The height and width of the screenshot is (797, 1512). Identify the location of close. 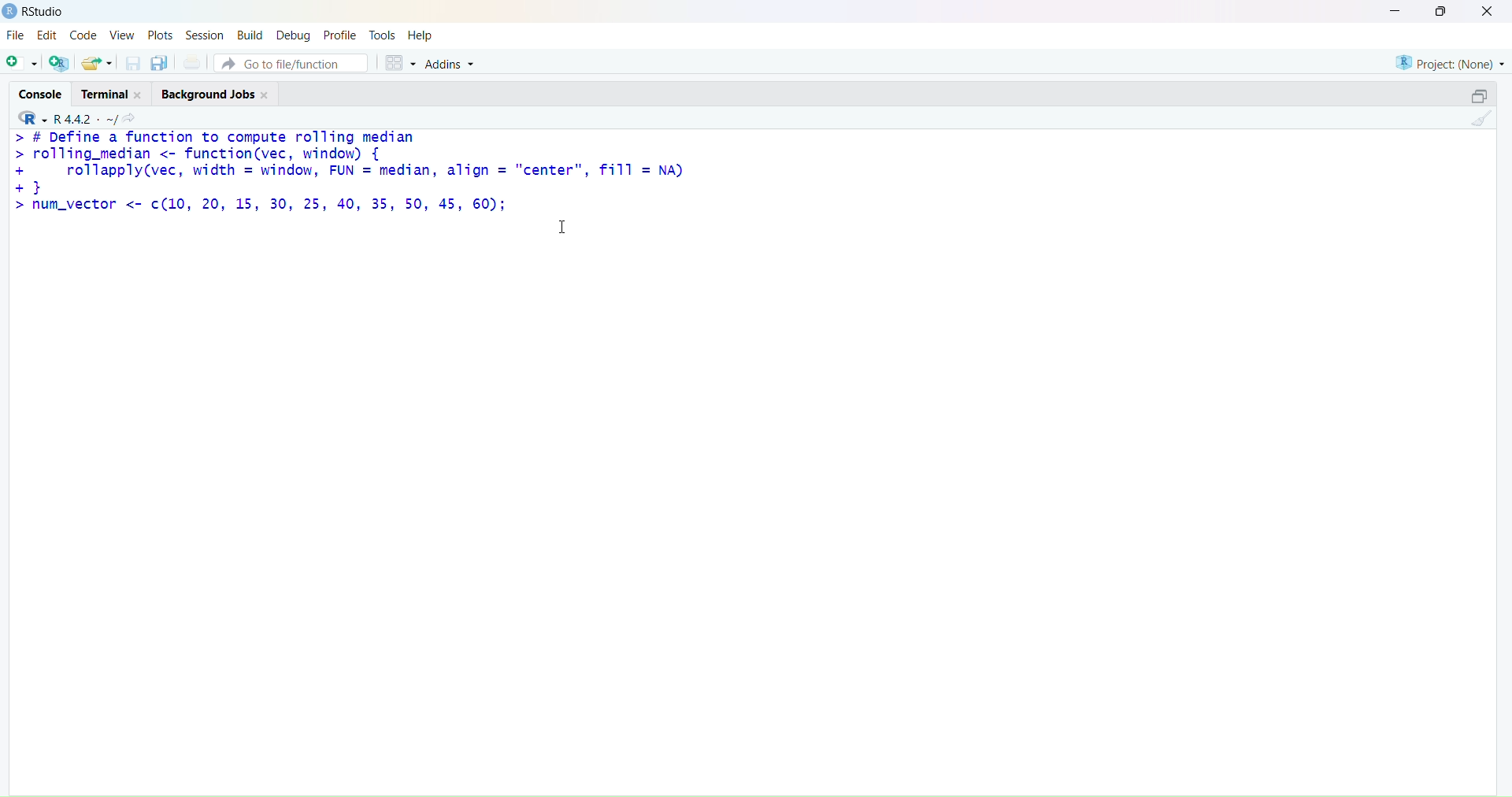
(137, 95).